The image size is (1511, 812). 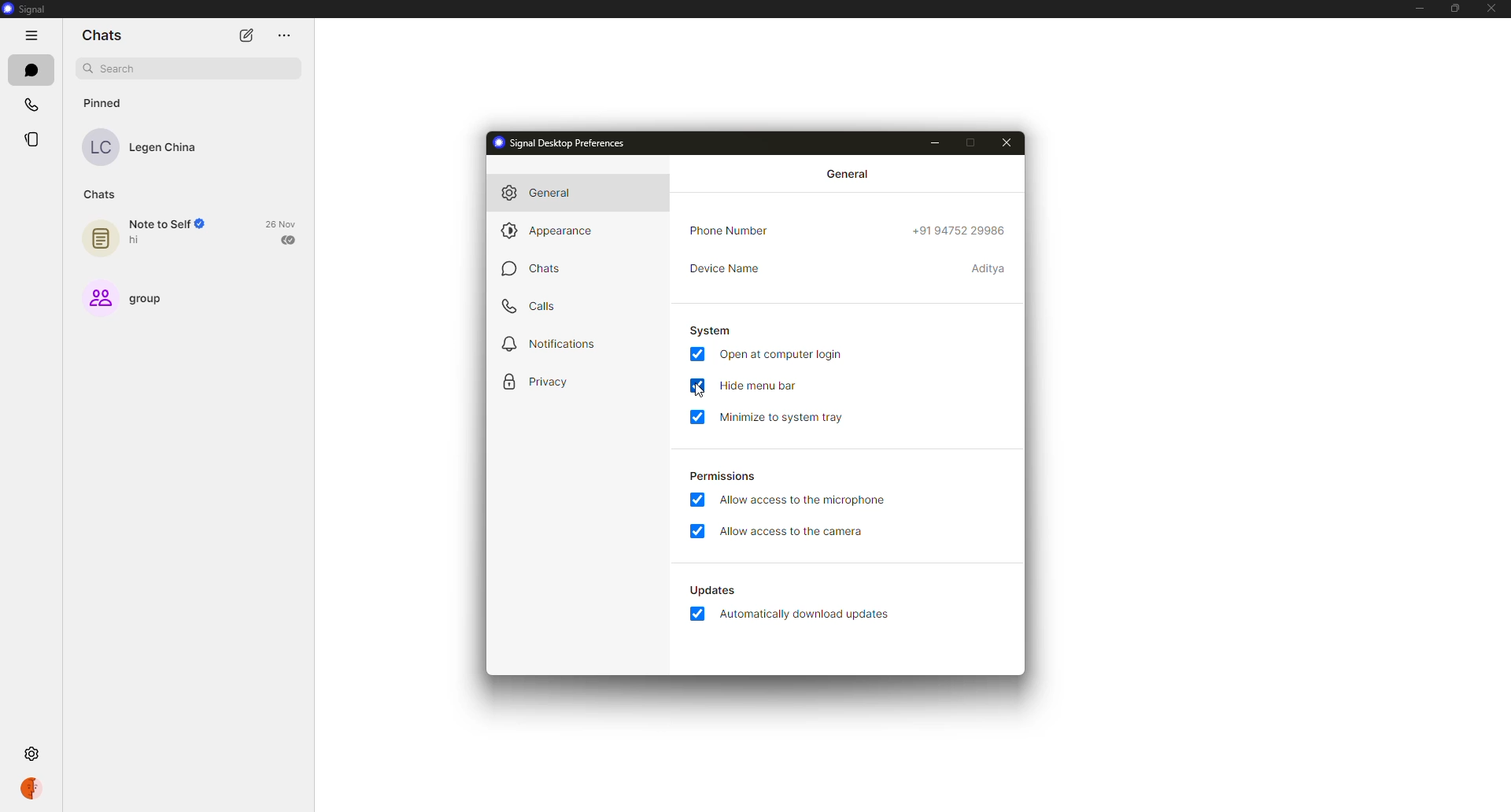 What do you see at coordinates (246, 36) in the screenshot?
I see `new chat` at bounding box center [246, 36].